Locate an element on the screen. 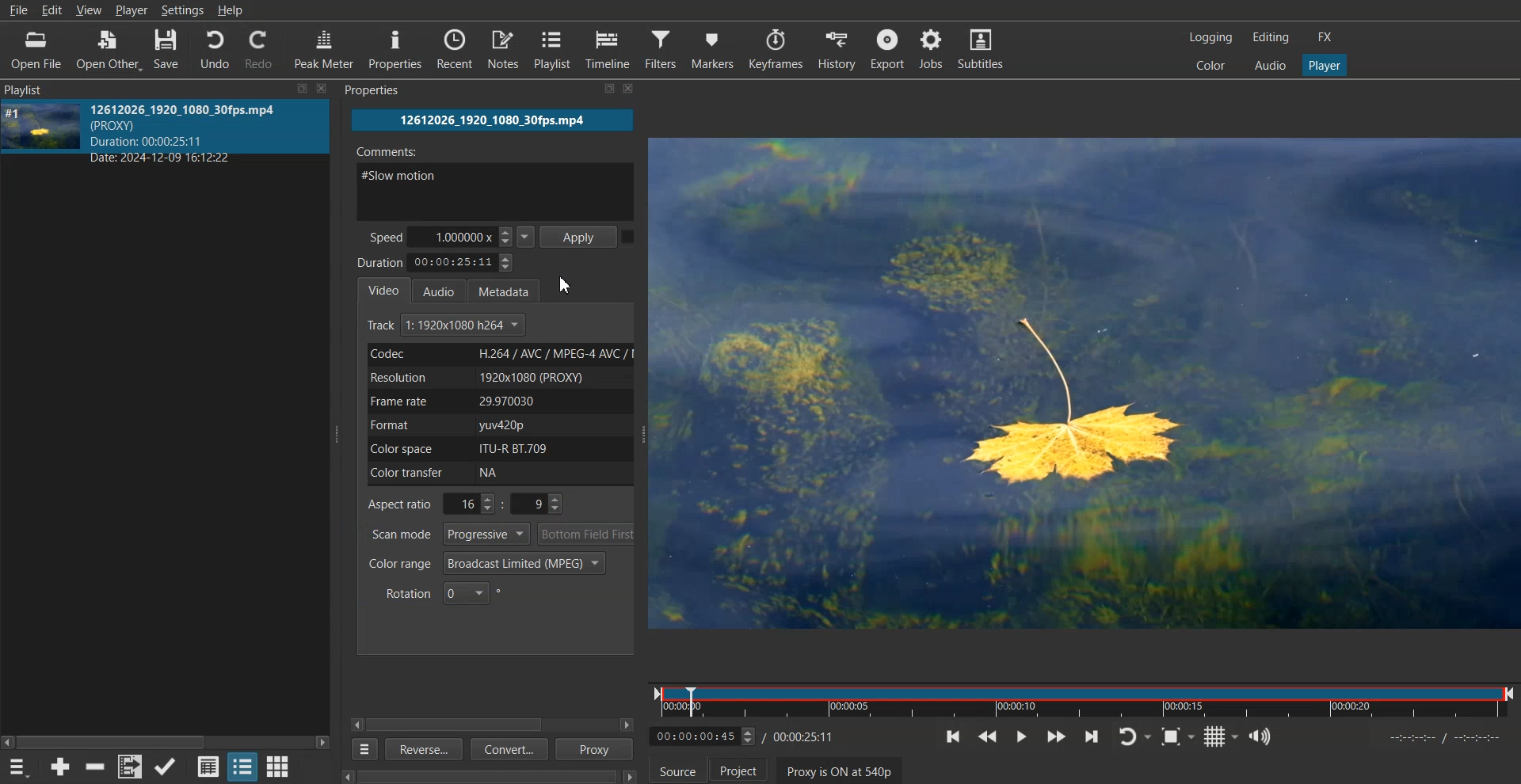  Reverse is located at coordinates (421, 748).